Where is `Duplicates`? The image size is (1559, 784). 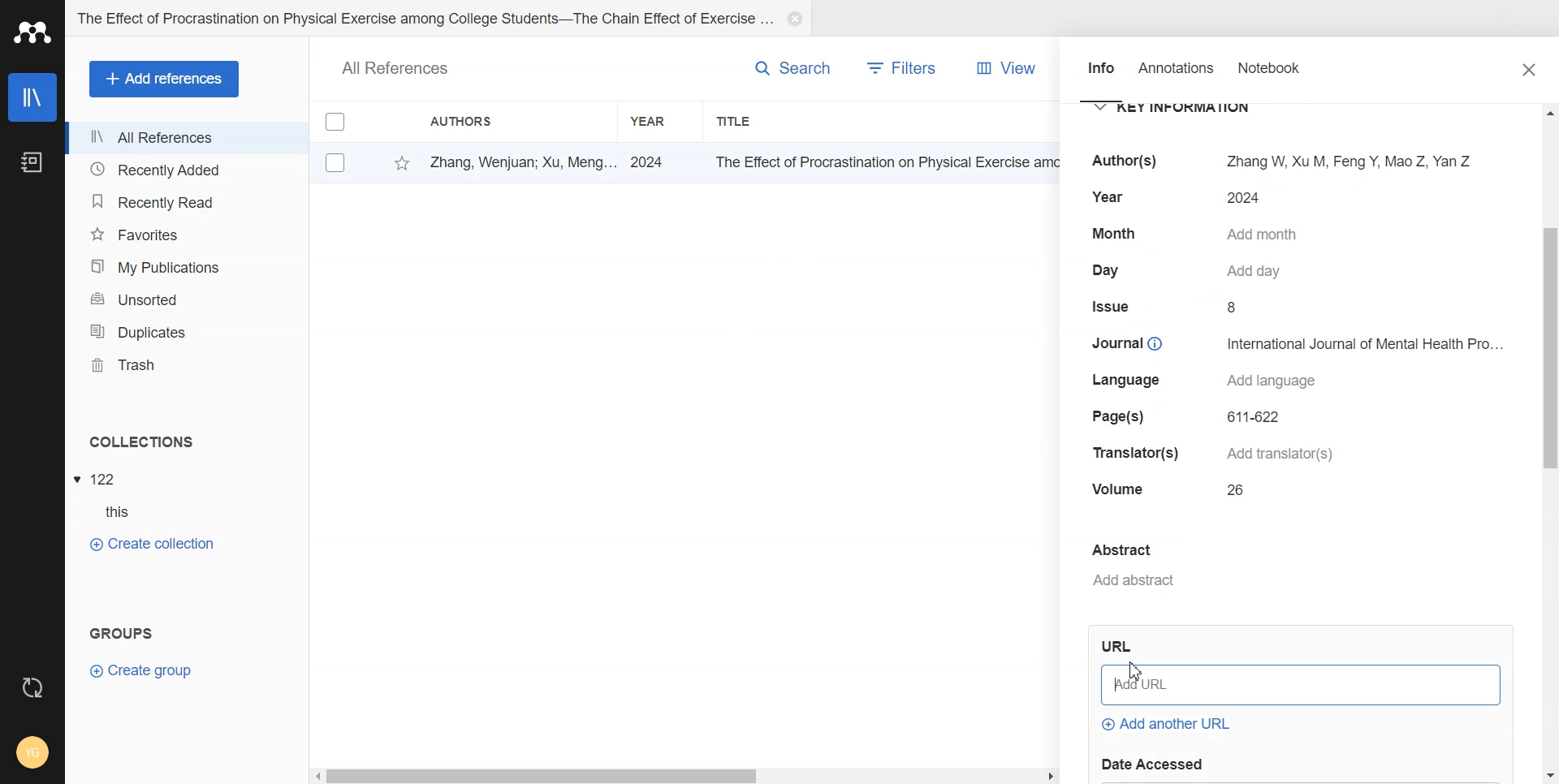 Duplicates is located at coordinates (187, 330).